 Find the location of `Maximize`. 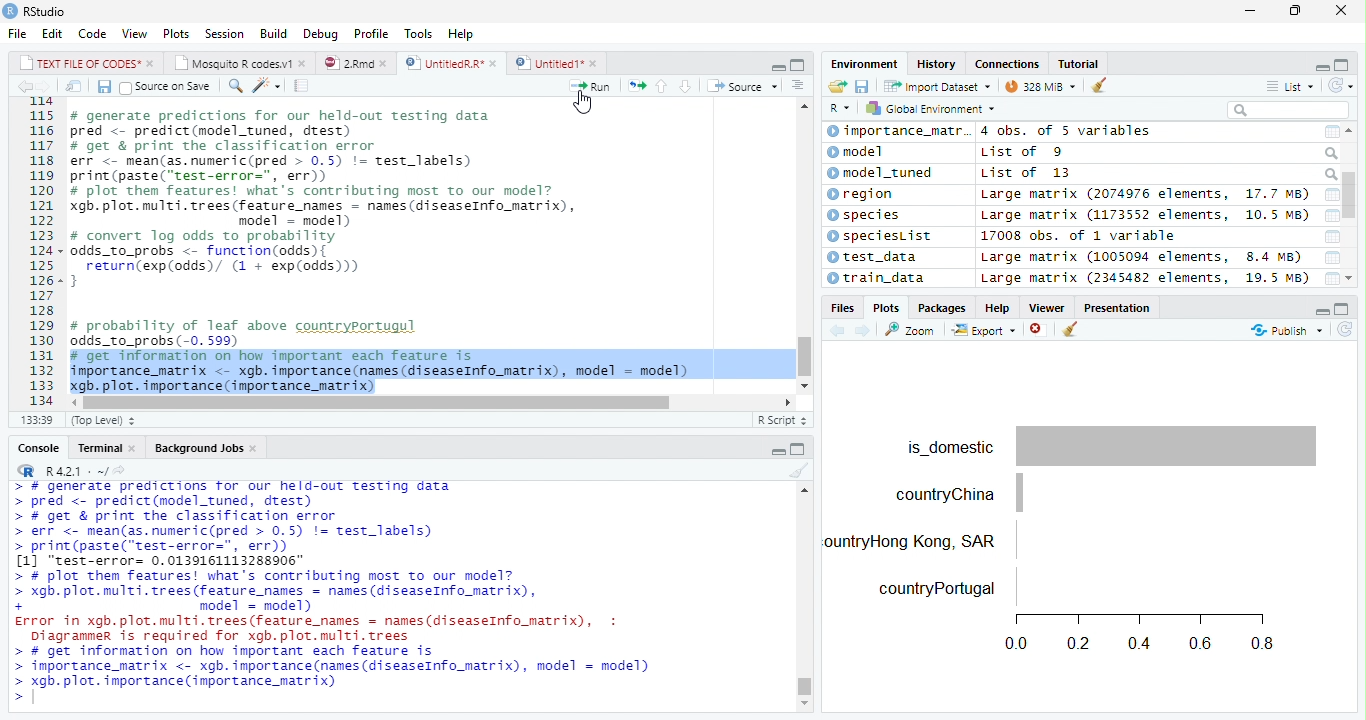

Maximize is located at coordinates (797, 63).